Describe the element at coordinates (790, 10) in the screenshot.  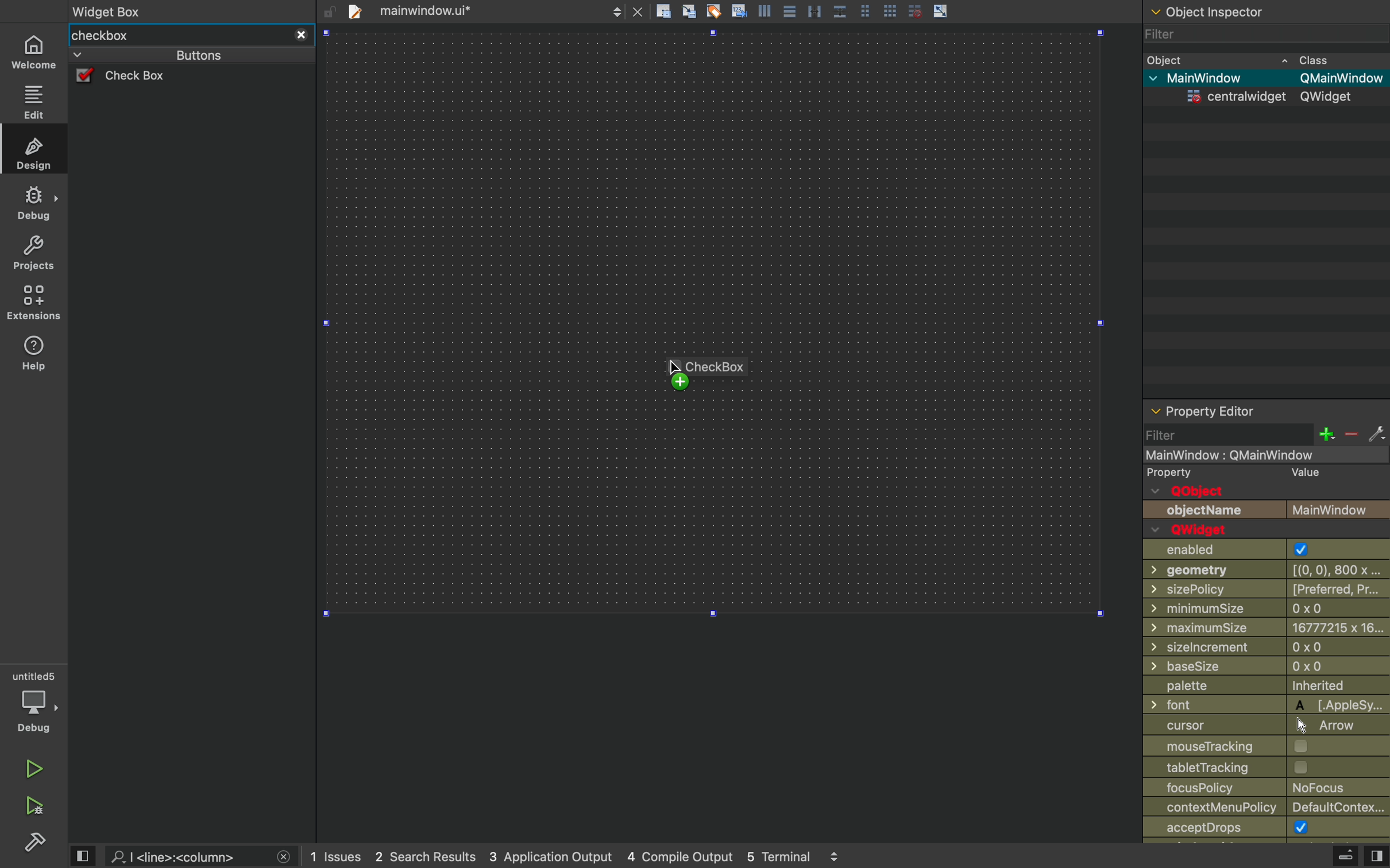
I see `align center` at that location.